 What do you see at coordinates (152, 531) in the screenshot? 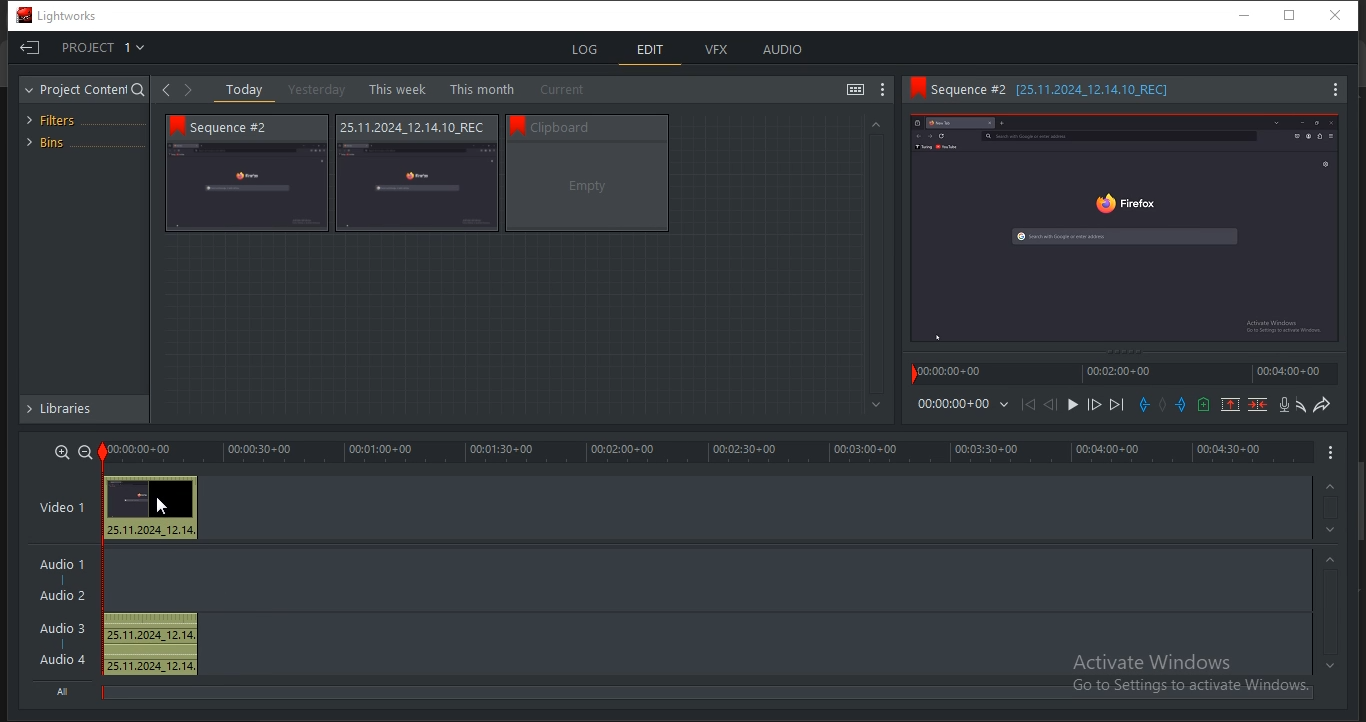
I see `25.11.2024_12.14` at bounding box center [152, 531].